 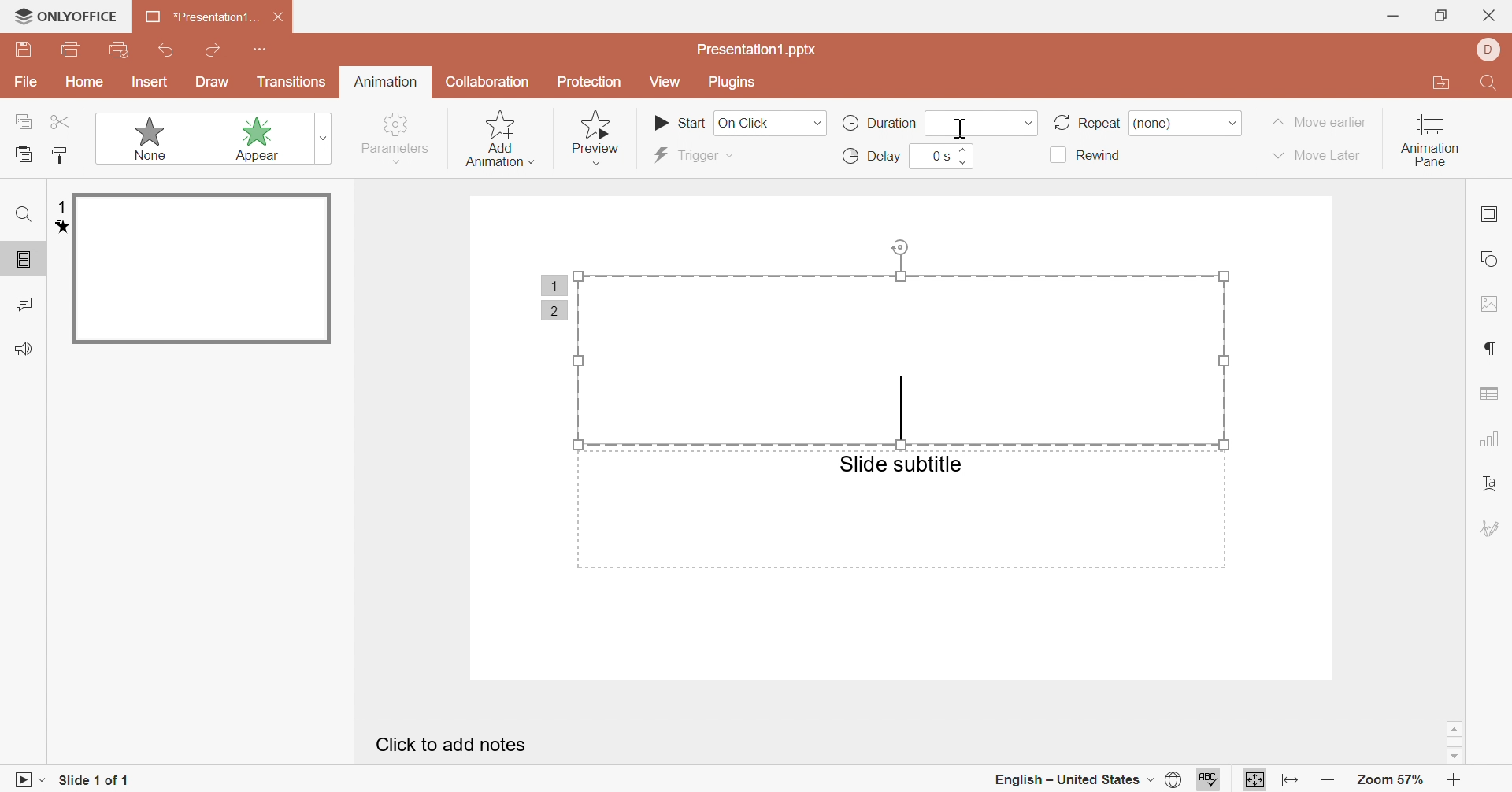 I want to click on home, so click(x=86, y=81).